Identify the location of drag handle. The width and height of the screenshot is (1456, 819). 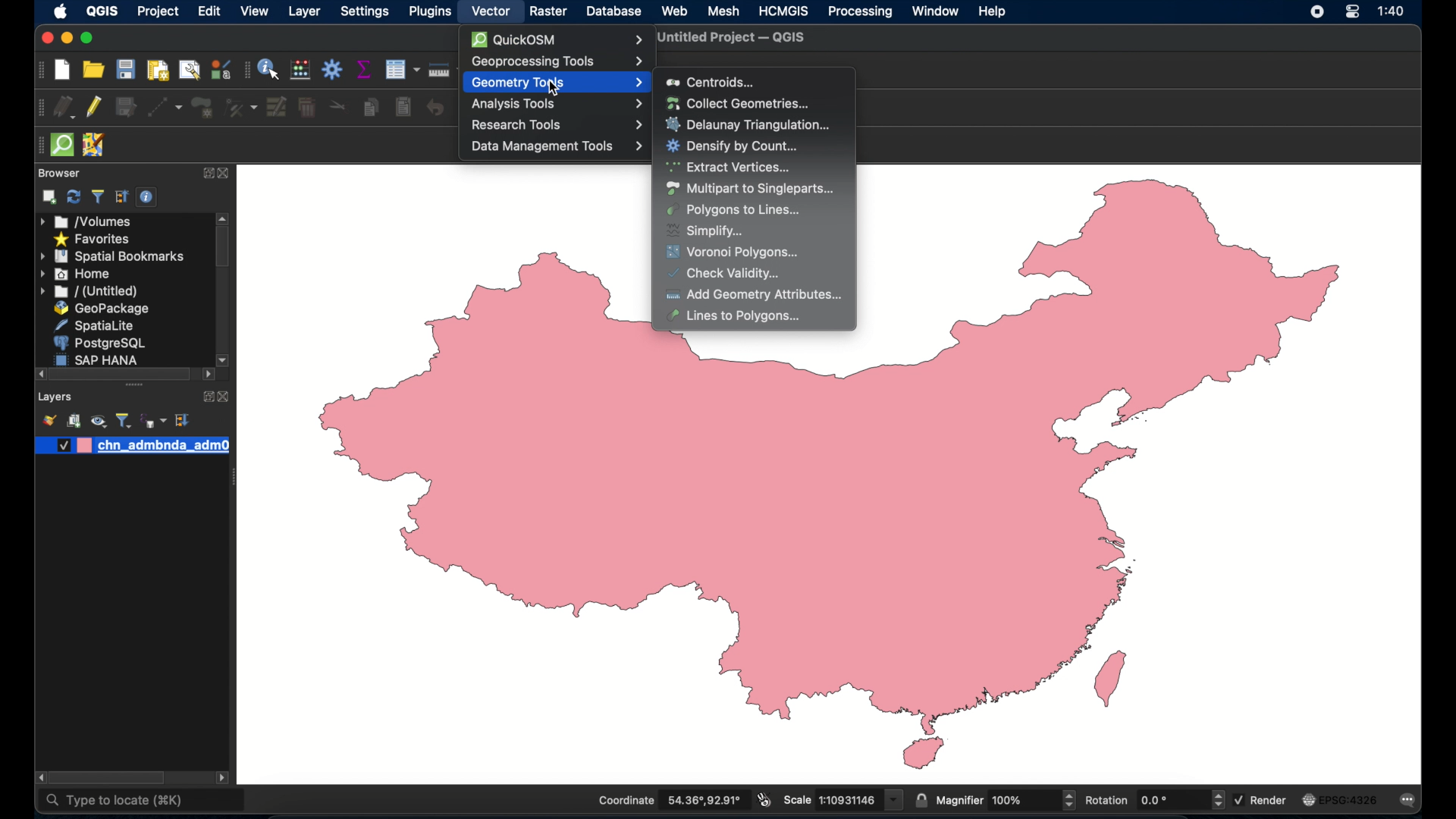
(233, 479).